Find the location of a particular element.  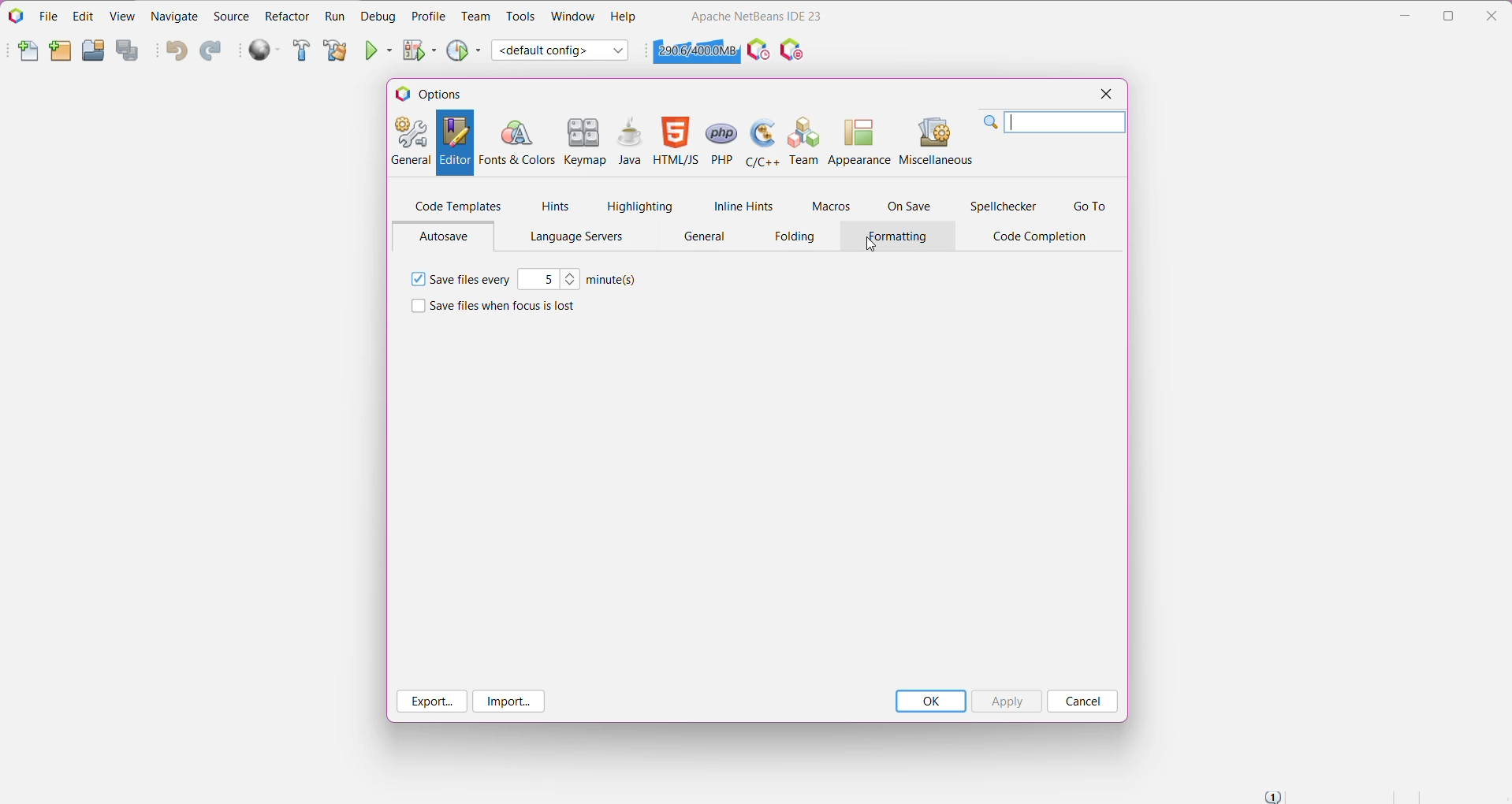

General is located at coordinates (706, 238).